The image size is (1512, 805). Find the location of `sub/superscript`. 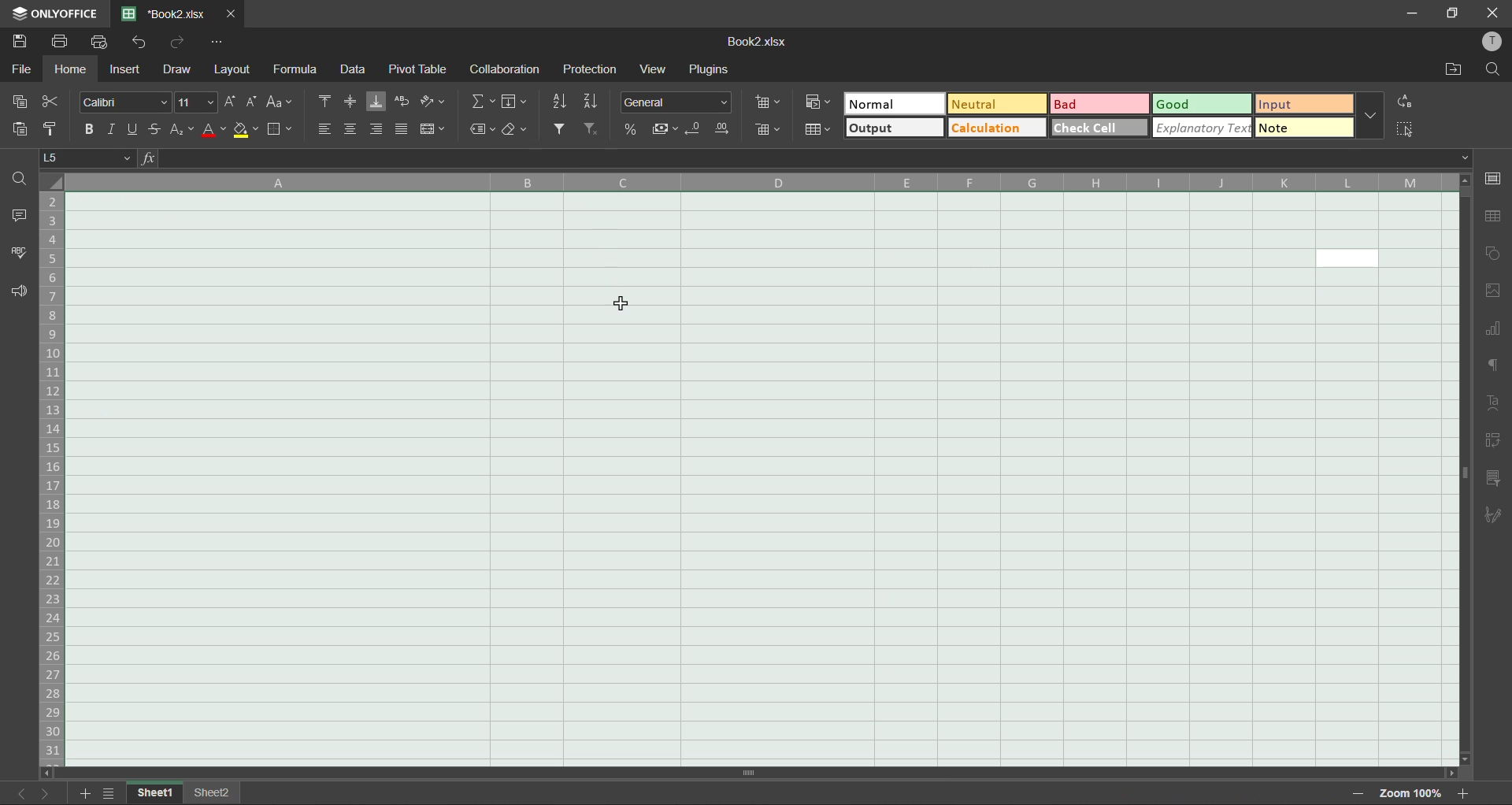

sub/superscript is located at coordinates (185, 129).